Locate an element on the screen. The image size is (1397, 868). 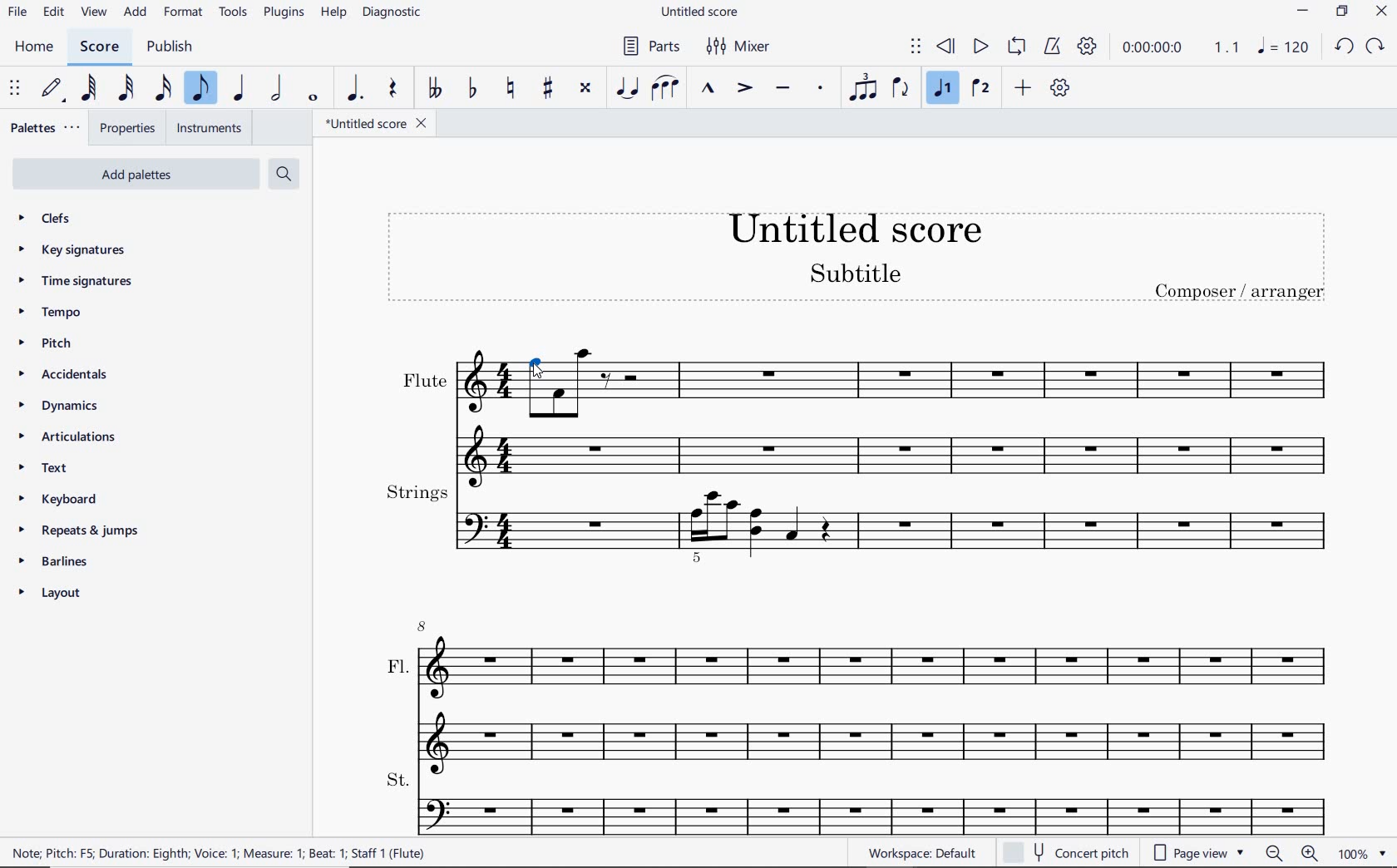
PLAY TIME is located at coordinates (1179, 47).